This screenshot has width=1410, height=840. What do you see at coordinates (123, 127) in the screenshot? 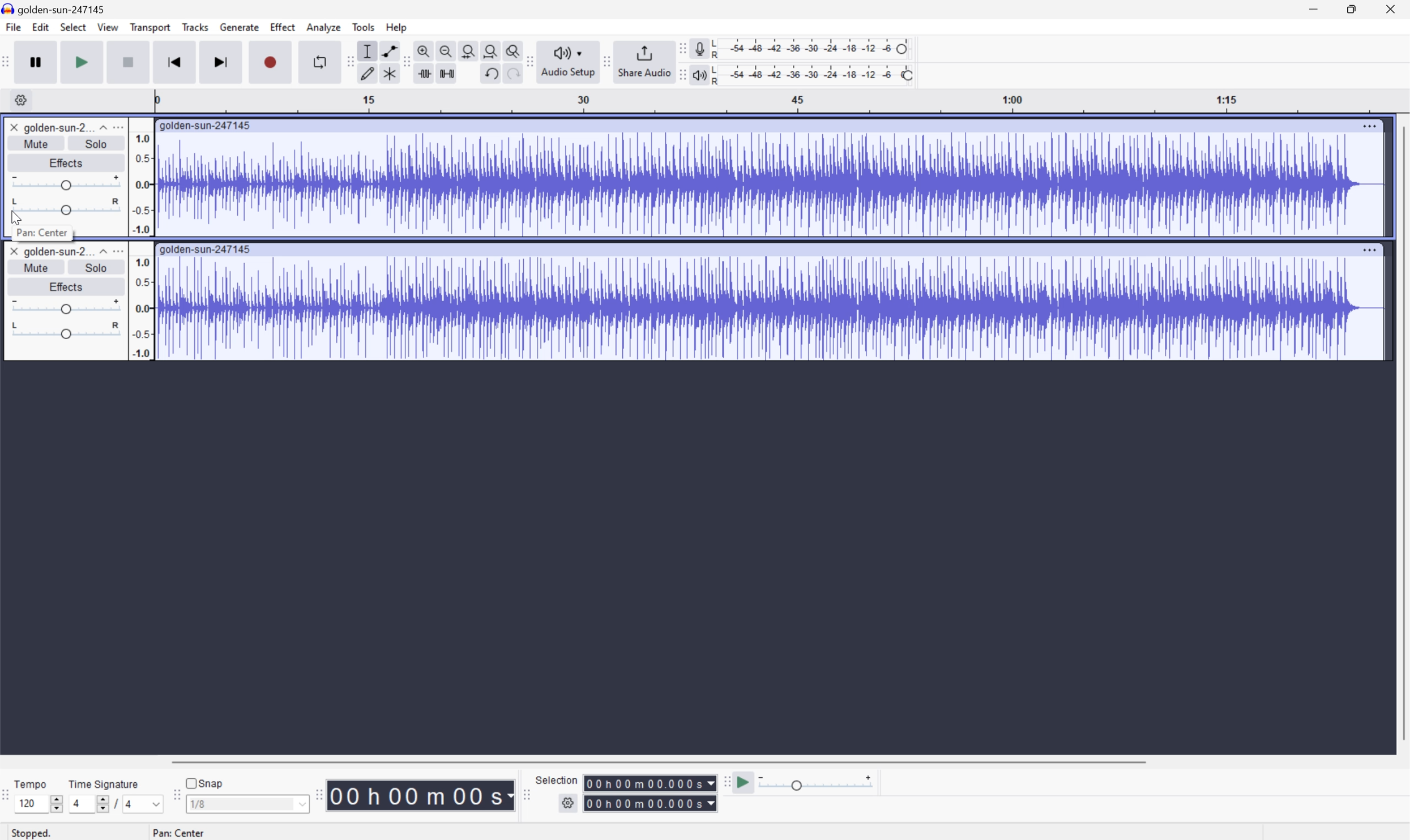
I see `more` at bounding box center [123, 127].